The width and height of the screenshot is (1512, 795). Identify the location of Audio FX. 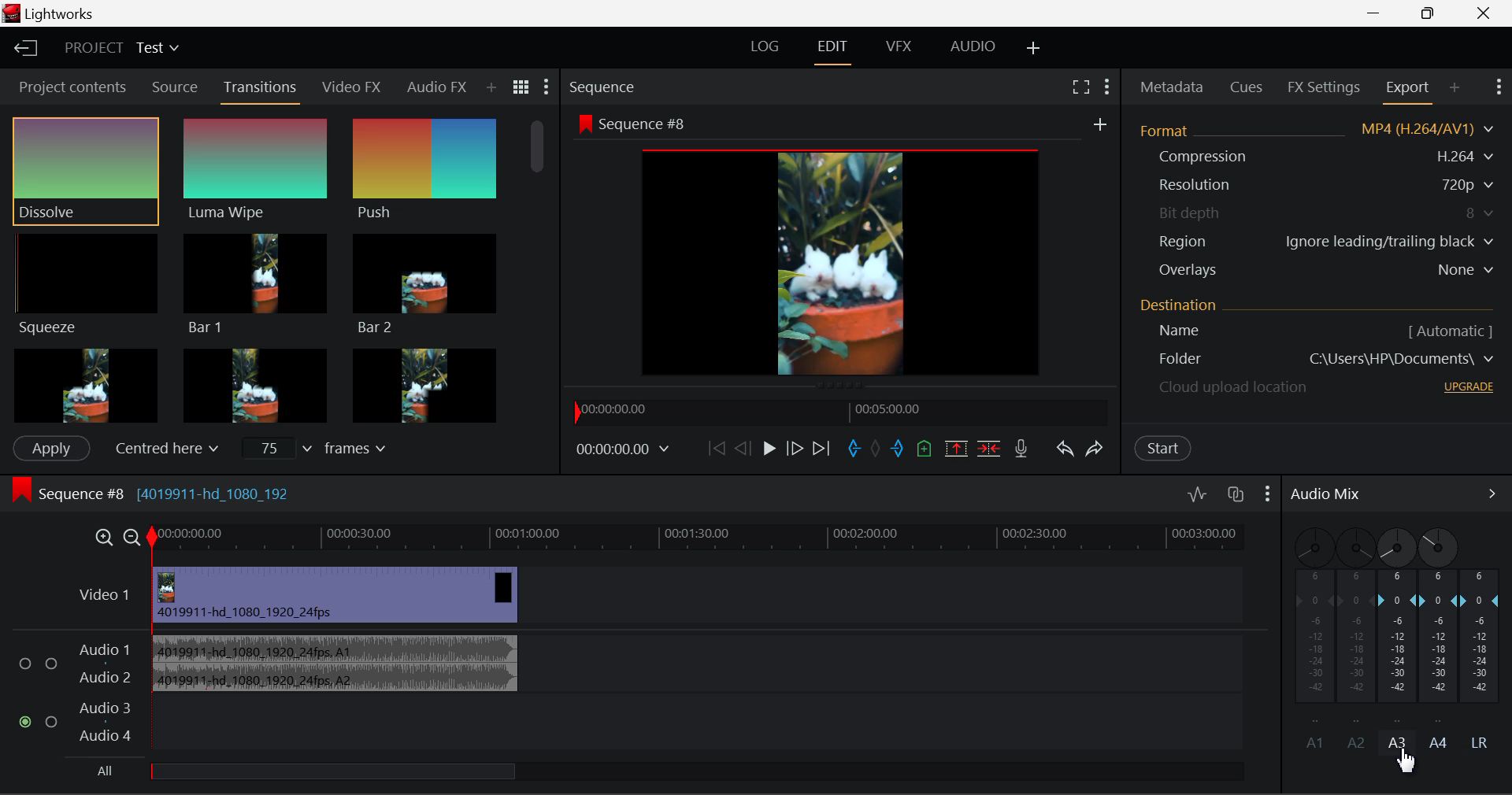
(438, 89).